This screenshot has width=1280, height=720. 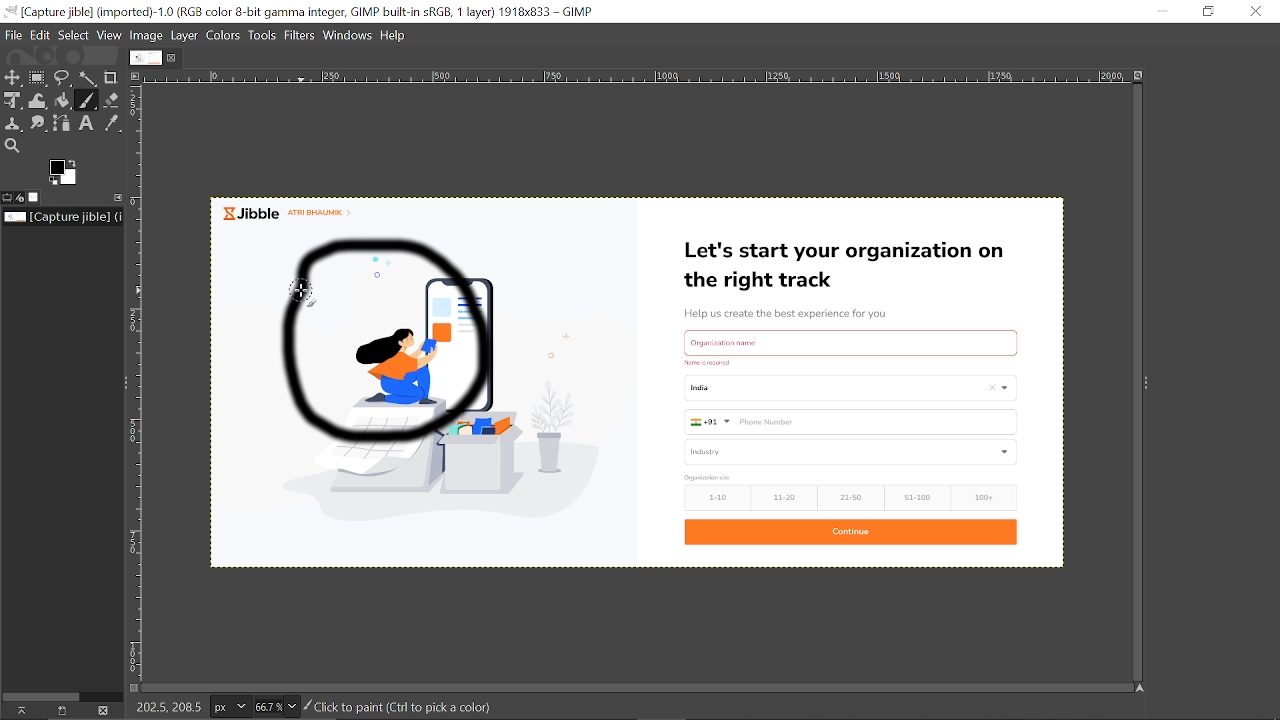 What do you see at coordinates (274, 707) in the screenshot?
I see `Zoom` at bounding box center [274, 707].